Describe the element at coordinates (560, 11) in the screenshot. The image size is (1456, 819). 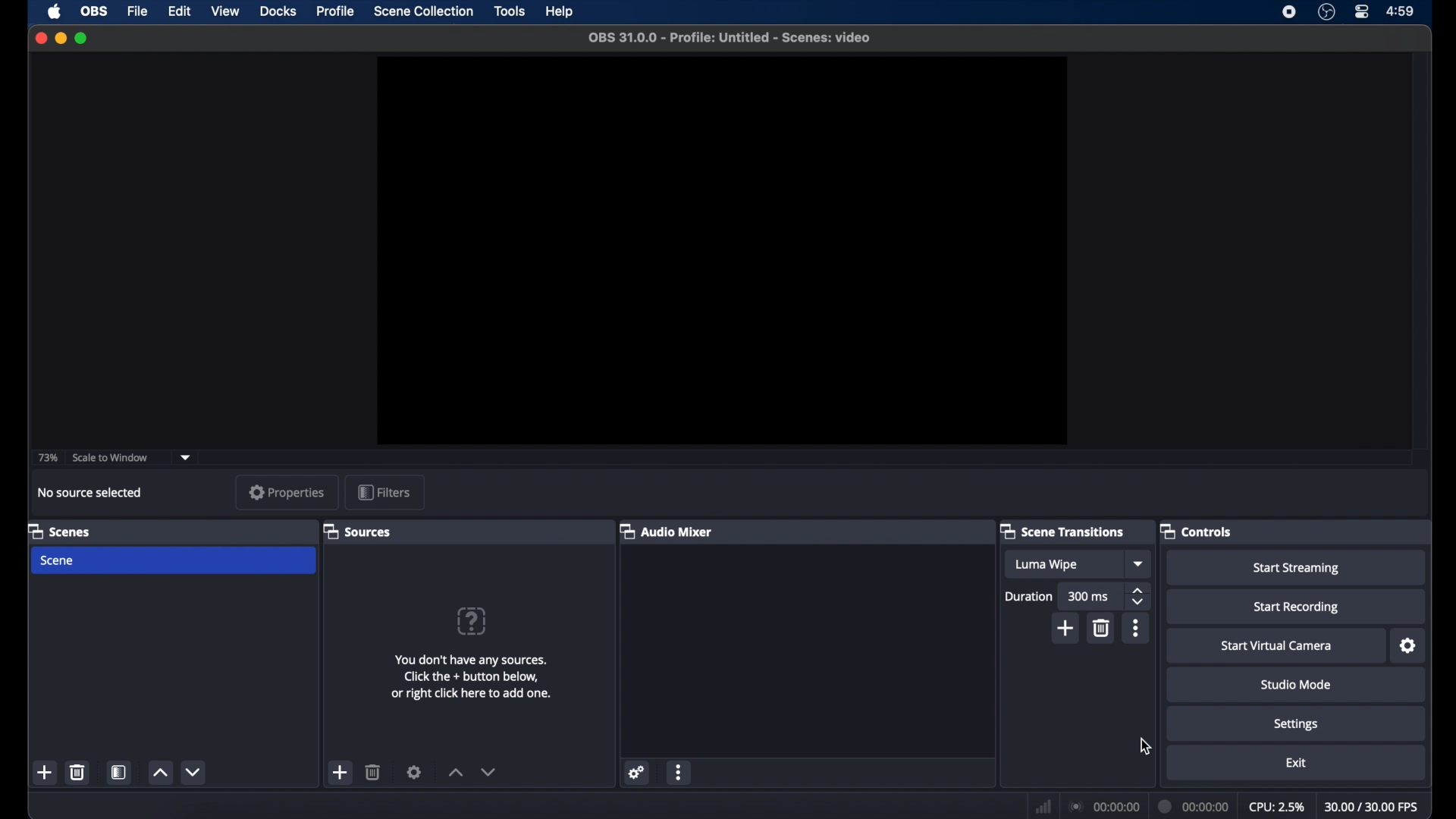
I see `help` at that location.